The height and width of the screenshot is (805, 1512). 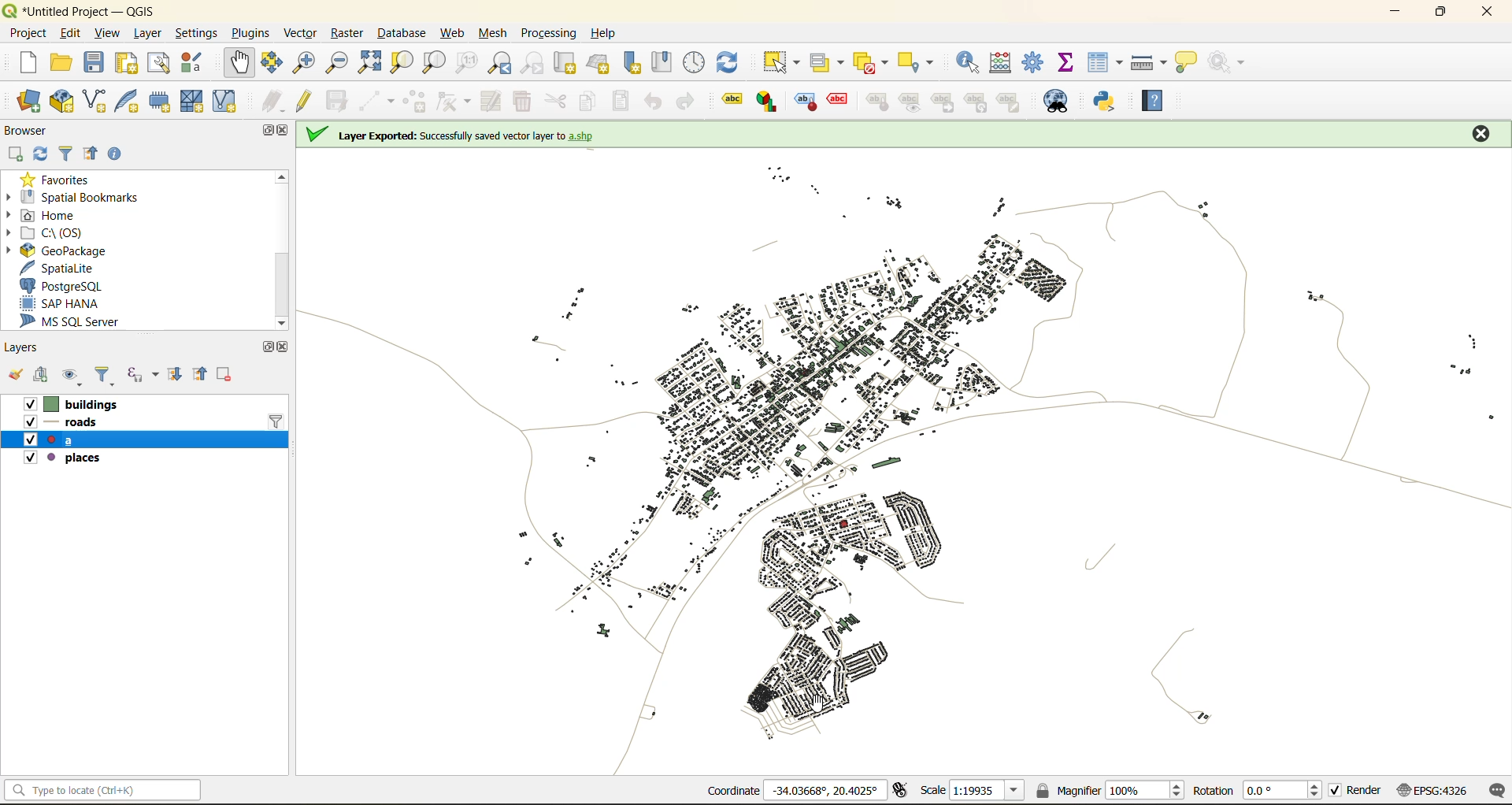 What do you see at coordinates (730, 100) in the screenshot?
I see `layer labeling` at bounding box center [730, 100].